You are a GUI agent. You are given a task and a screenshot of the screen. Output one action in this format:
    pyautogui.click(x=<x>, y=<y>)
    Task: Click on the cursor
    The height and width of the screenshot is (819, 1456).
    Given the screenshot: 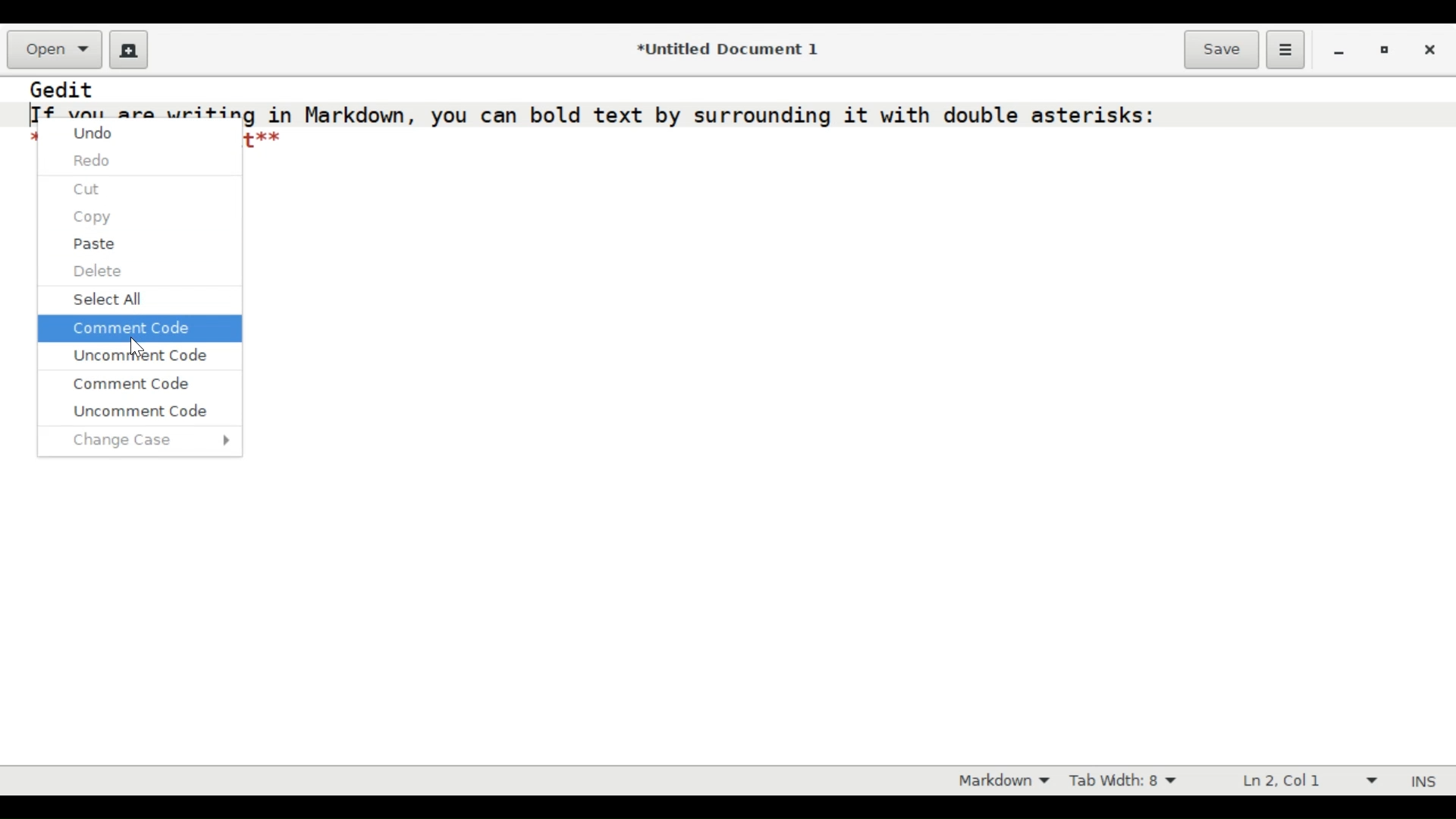 What is the action you would take?
    pyautogui.click(x=139, y=347)
    